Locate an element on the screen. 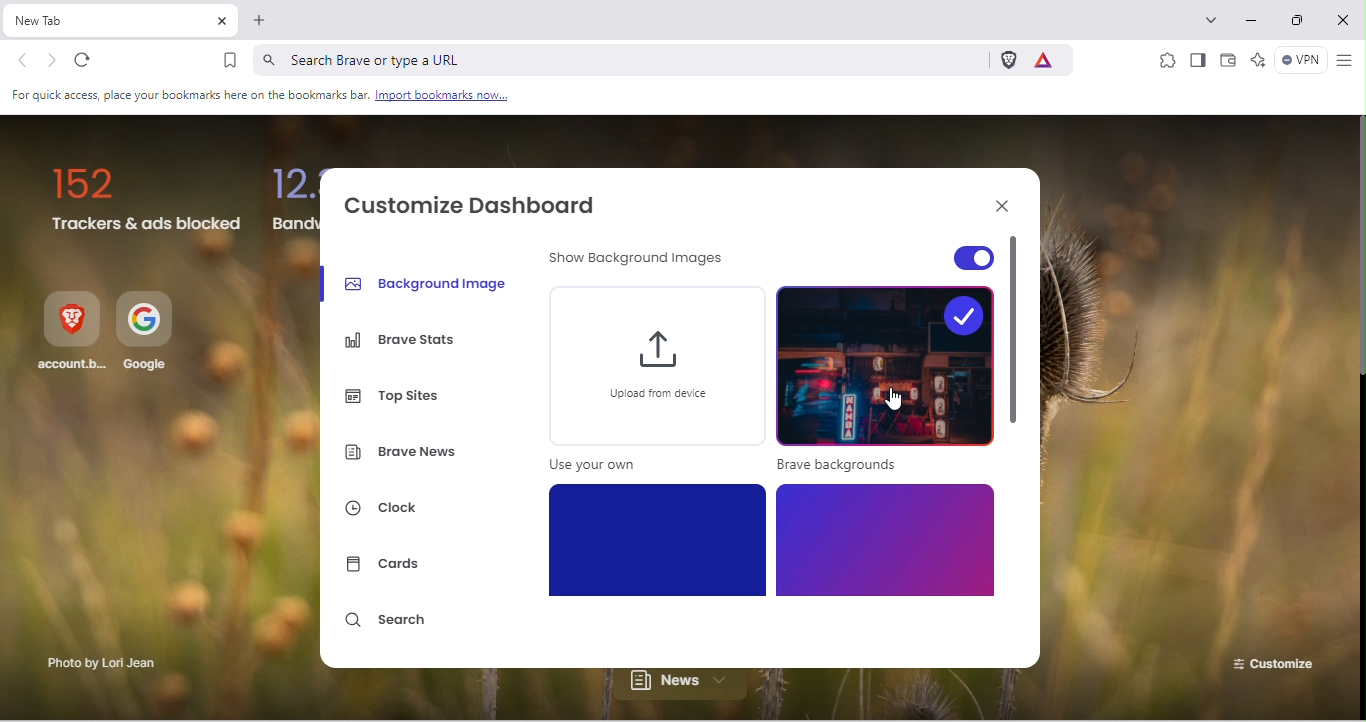 The height and width of the screenshot is (722, 1366). For quick access, place your bookmarks here on the bookmarks bar. Import bookmarks now... is located at coordinates (262, 96).